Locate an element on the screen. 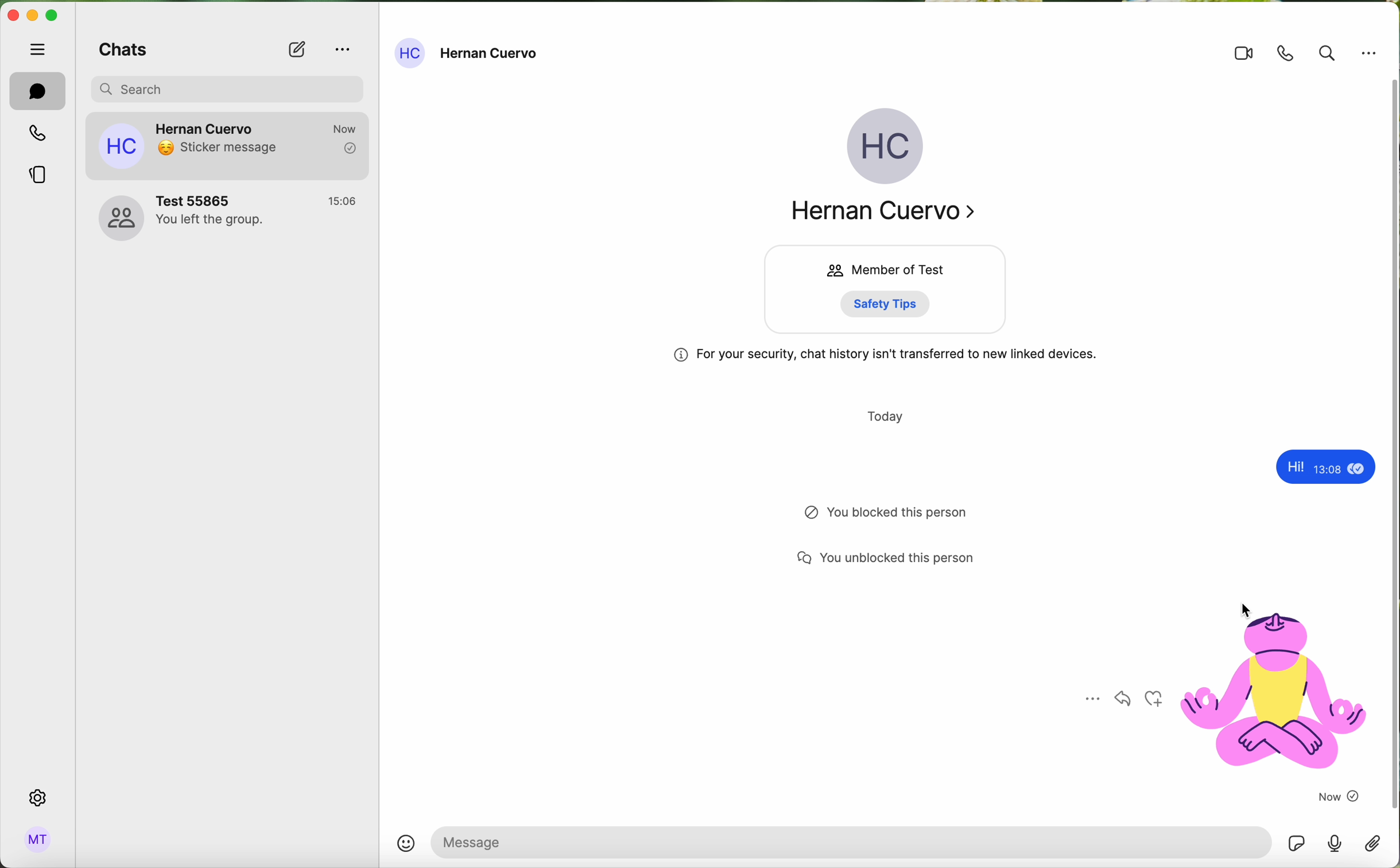 Image resolution: width=1400 pixels, height=868 pixels. today  is located at coordinates (888, 415).